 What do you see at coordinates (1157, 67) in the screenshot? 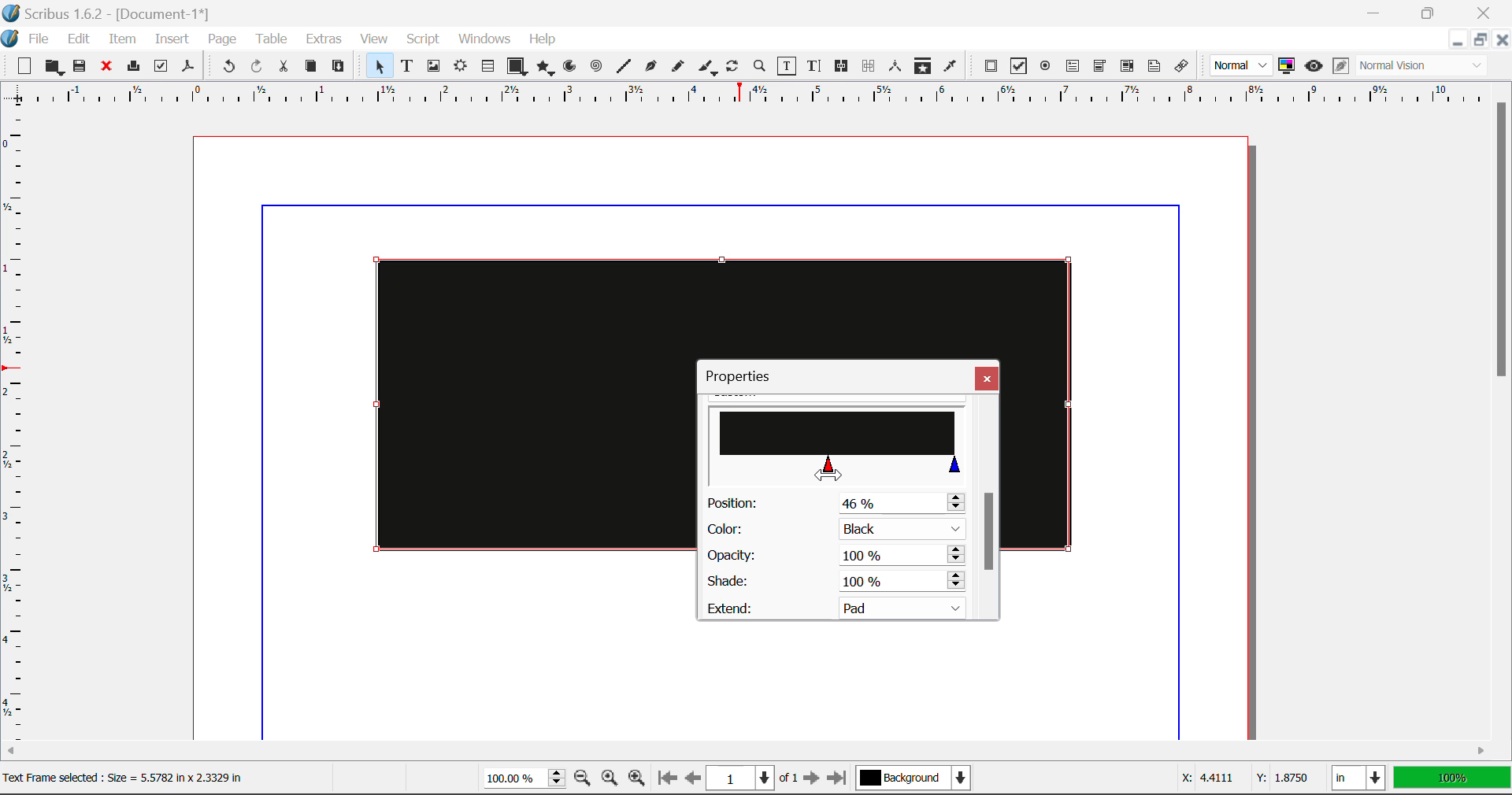
I see `Text Annotation` at bounding box center [1157, 67].